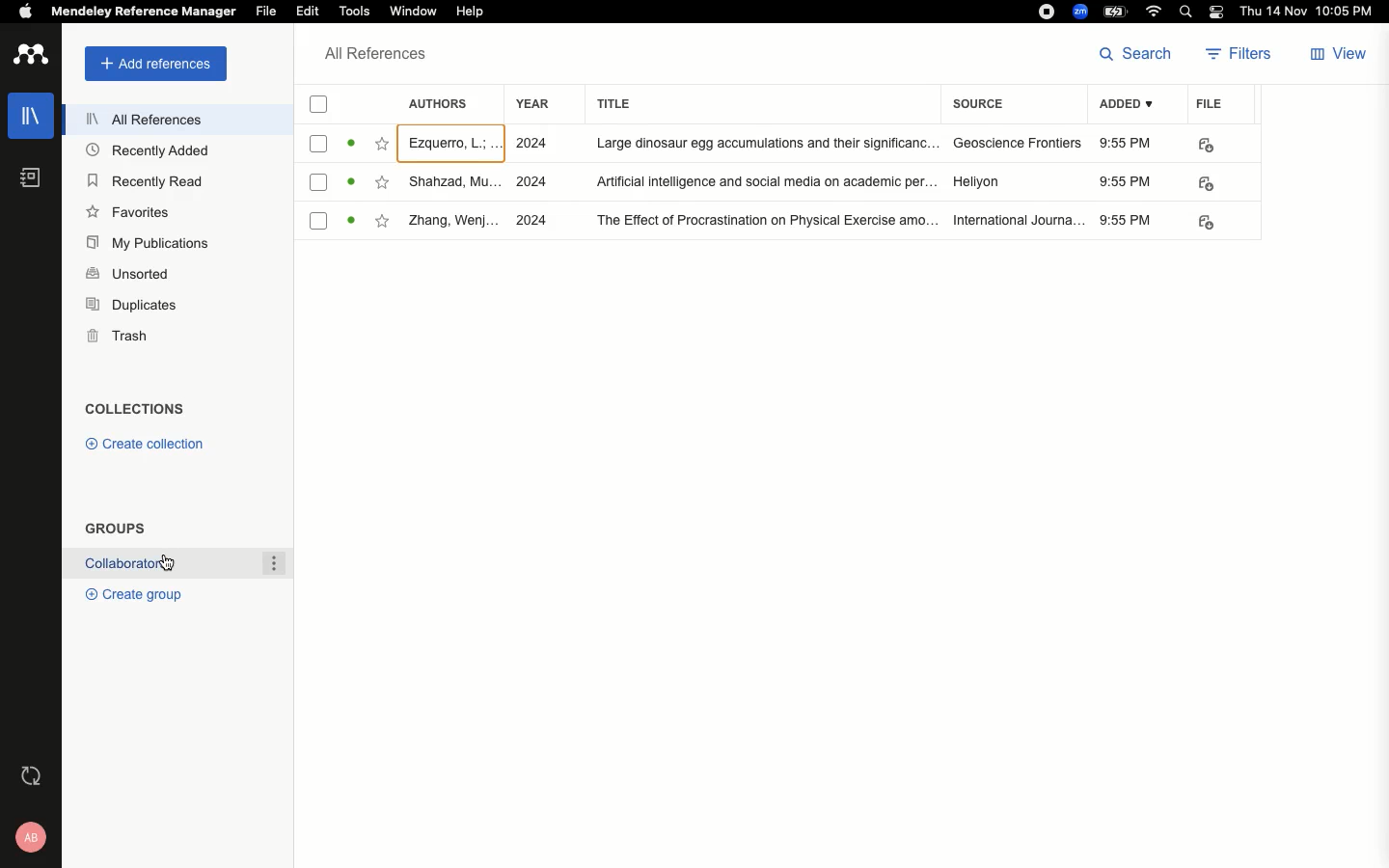 The width and height of the screenshot is (1389, 868). Describe the element at coordinates (150, 596) in the screenshot. I see `Create group` at that location.